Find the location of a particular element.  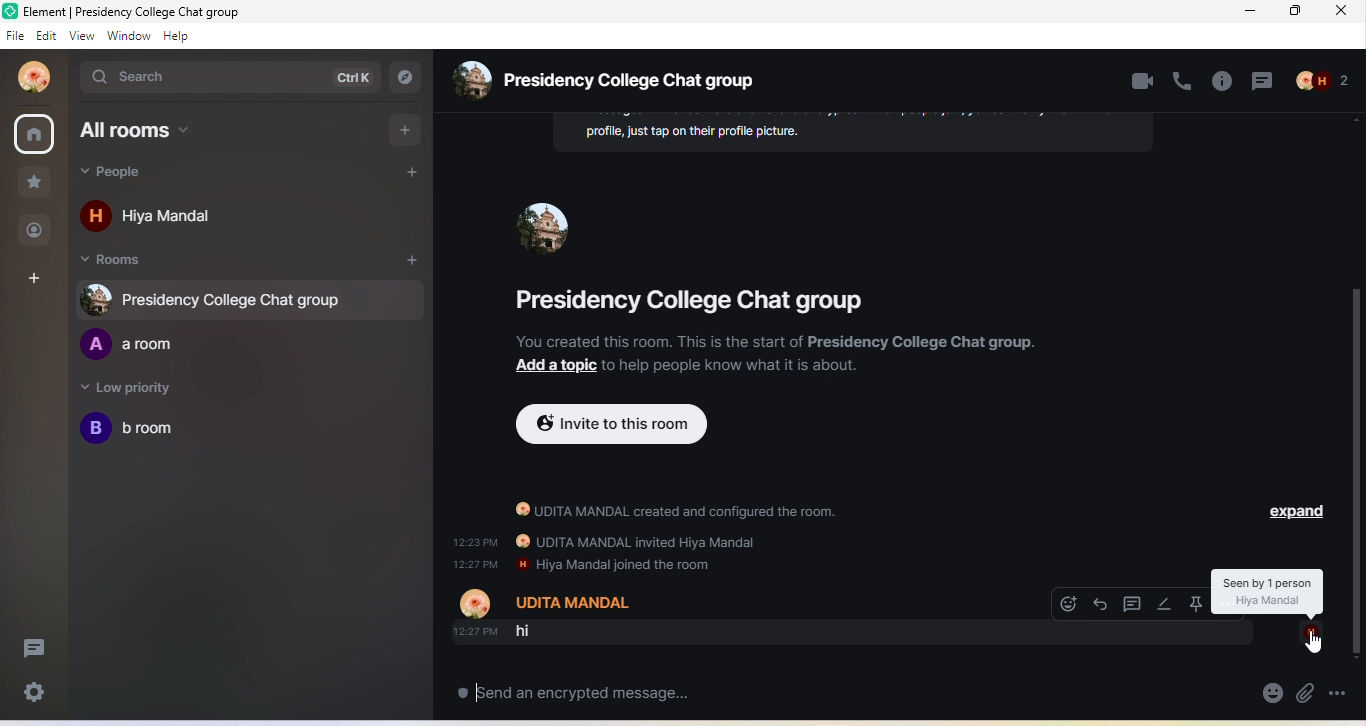

people is located at coordinates (37, 232).